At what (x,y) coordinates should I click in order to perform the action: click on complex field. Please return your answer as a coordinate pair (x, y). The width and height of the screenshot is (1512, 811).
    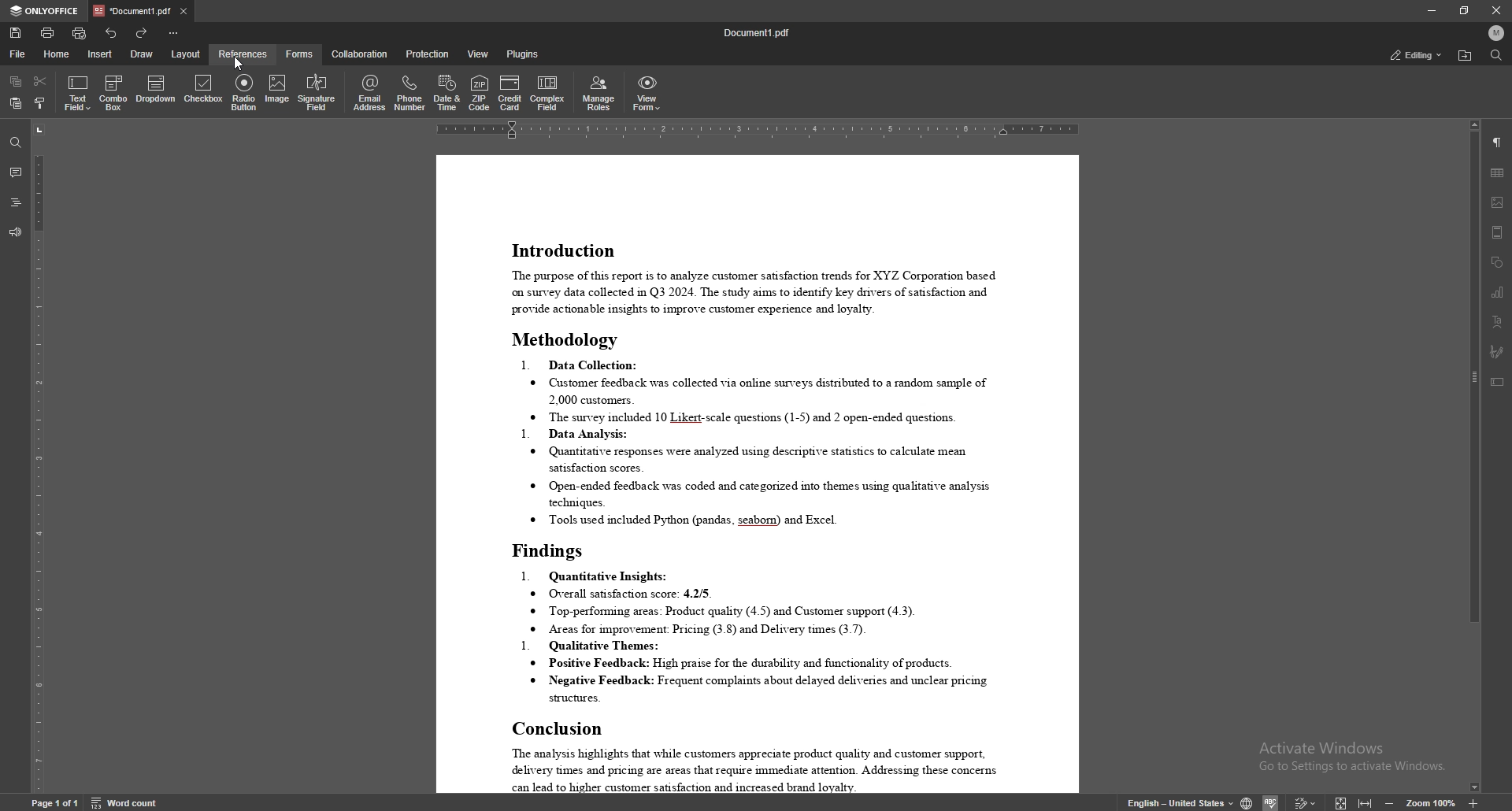
    Looking at the image, I should click on (549, 94).